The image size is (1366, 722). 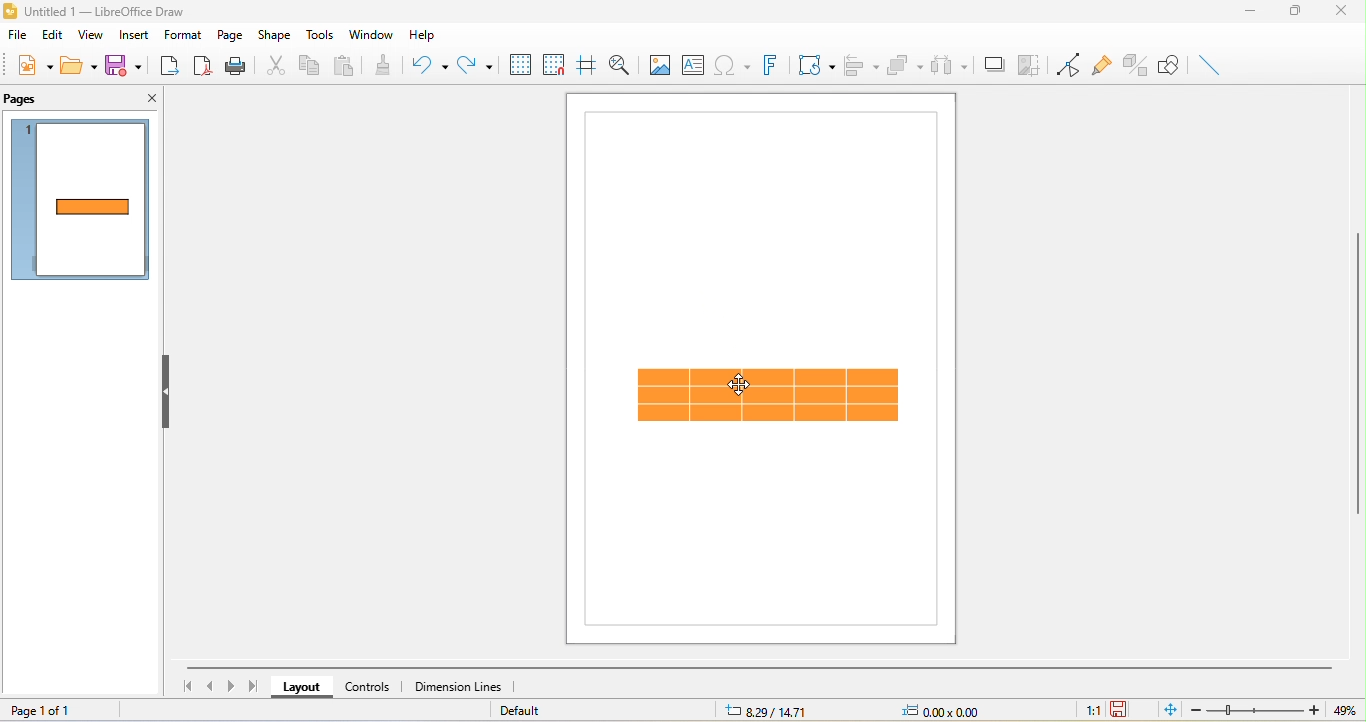 What do you see at coordinates (16, 34) in the screenshot?
I see `file` at bounding box center [16, 34].